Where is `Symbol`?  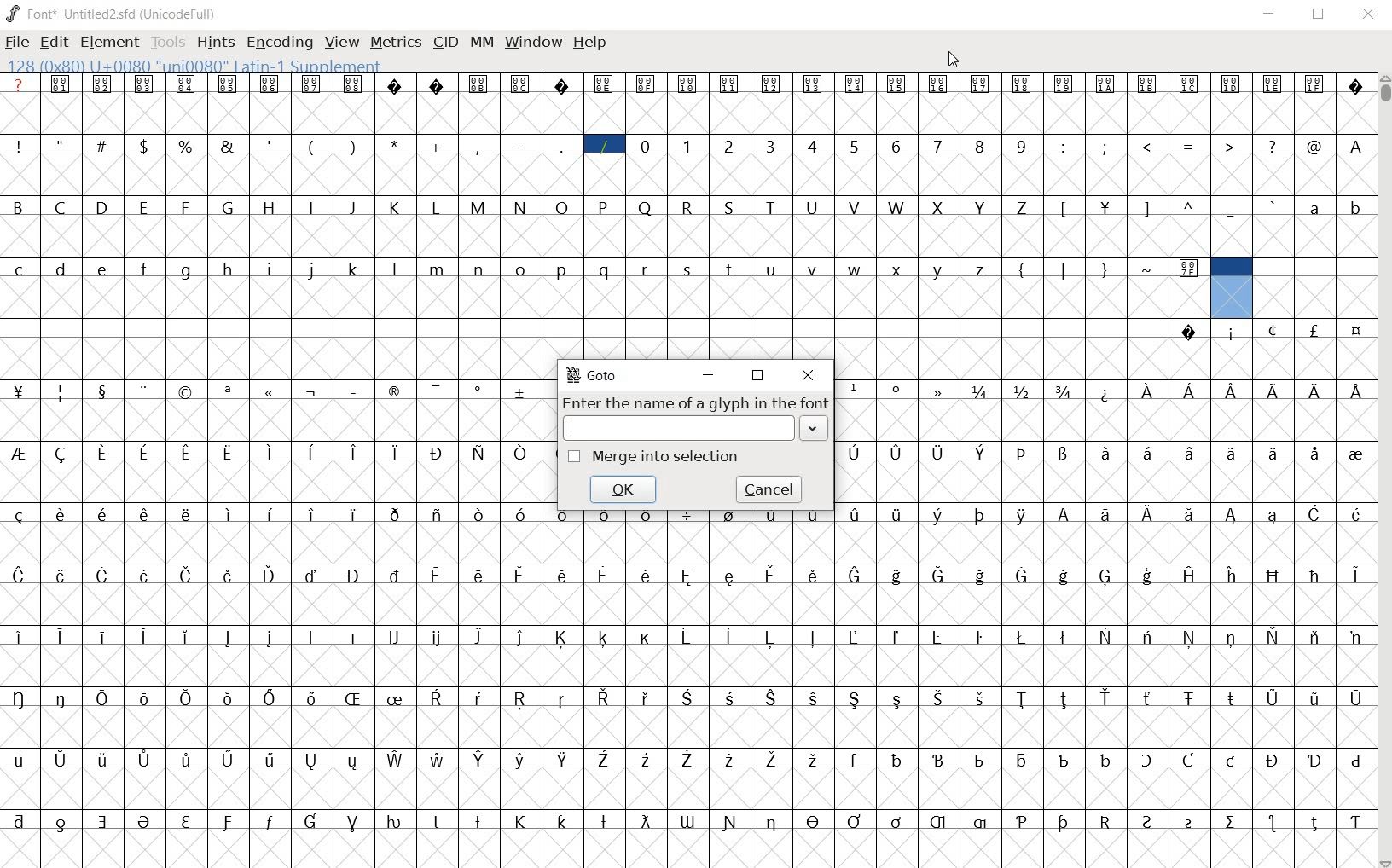
Symbol is located at coordinates (353, 819).